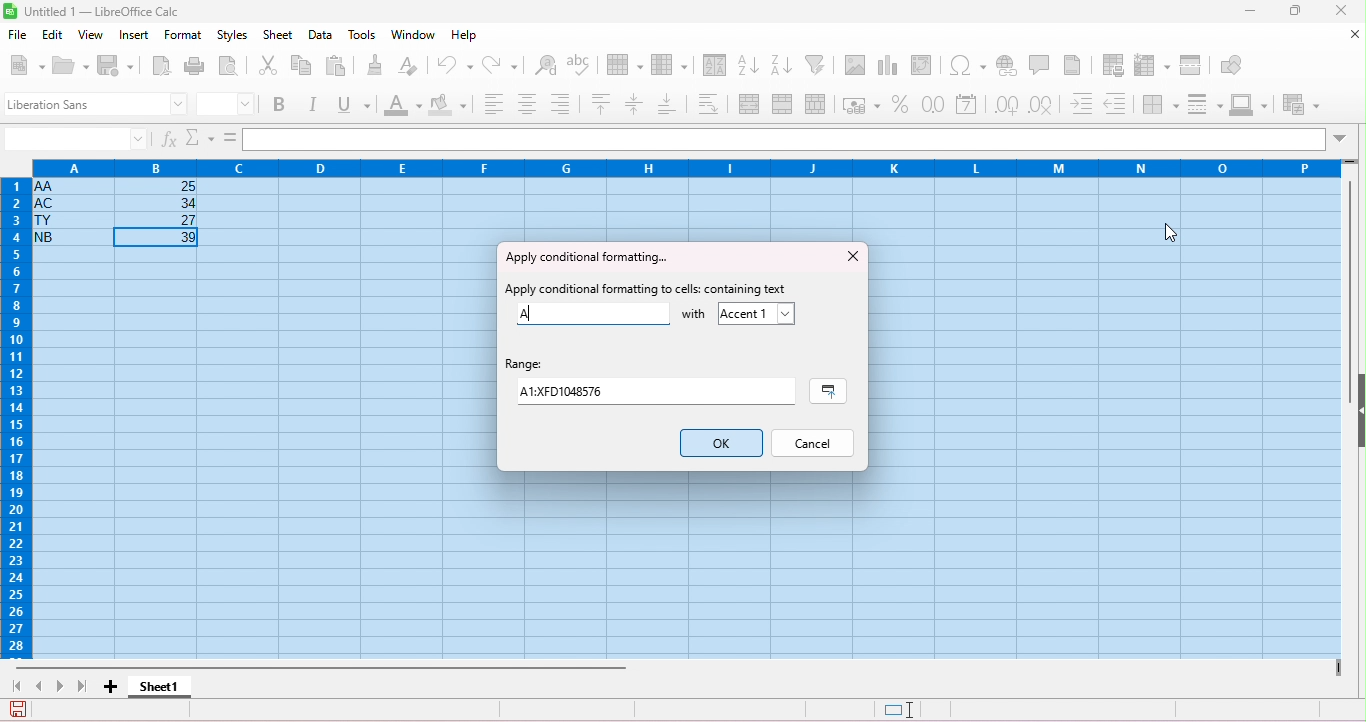 The width and height of the screenshot is (1366, 722). Describe the element at coordinates (822, 390) in the screenshot. I see `select range` at that location.